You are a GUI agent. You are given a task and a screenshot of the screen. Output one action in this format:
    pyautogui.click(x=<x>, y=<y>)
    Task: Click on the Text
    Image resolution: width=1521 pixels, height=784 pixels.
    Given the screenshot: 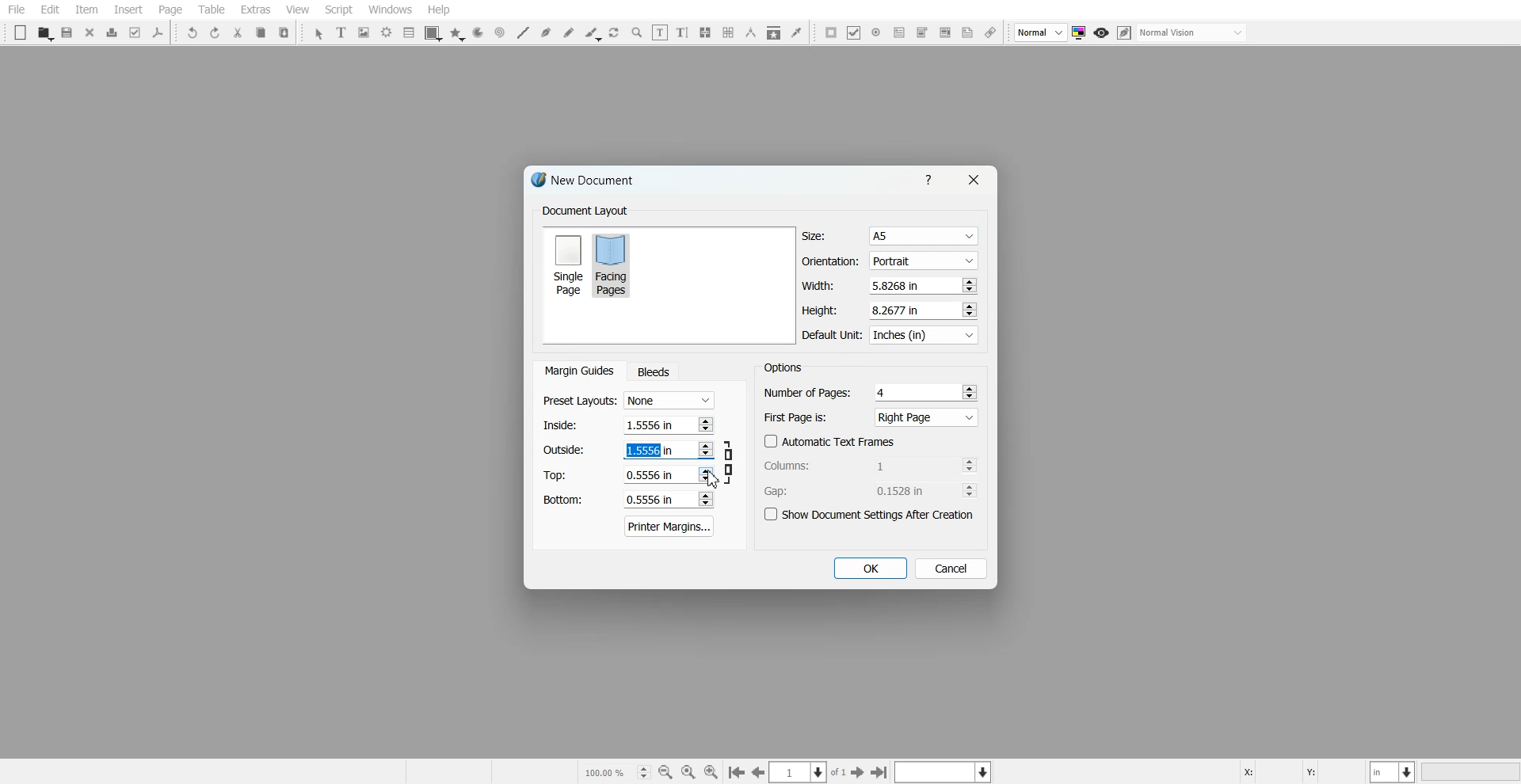 What is the action you would take?
    pyautogui.click(x=783, y=367)
    